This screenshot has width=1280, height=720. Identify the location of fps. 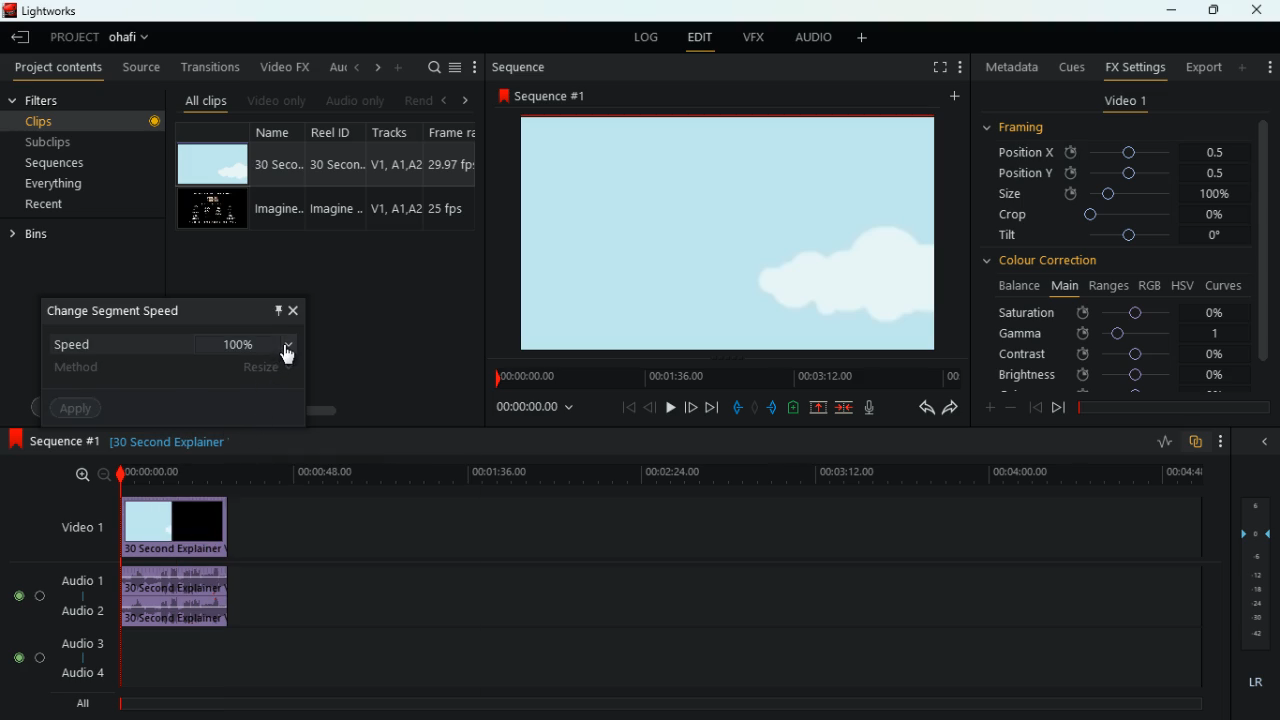
(450, 176).